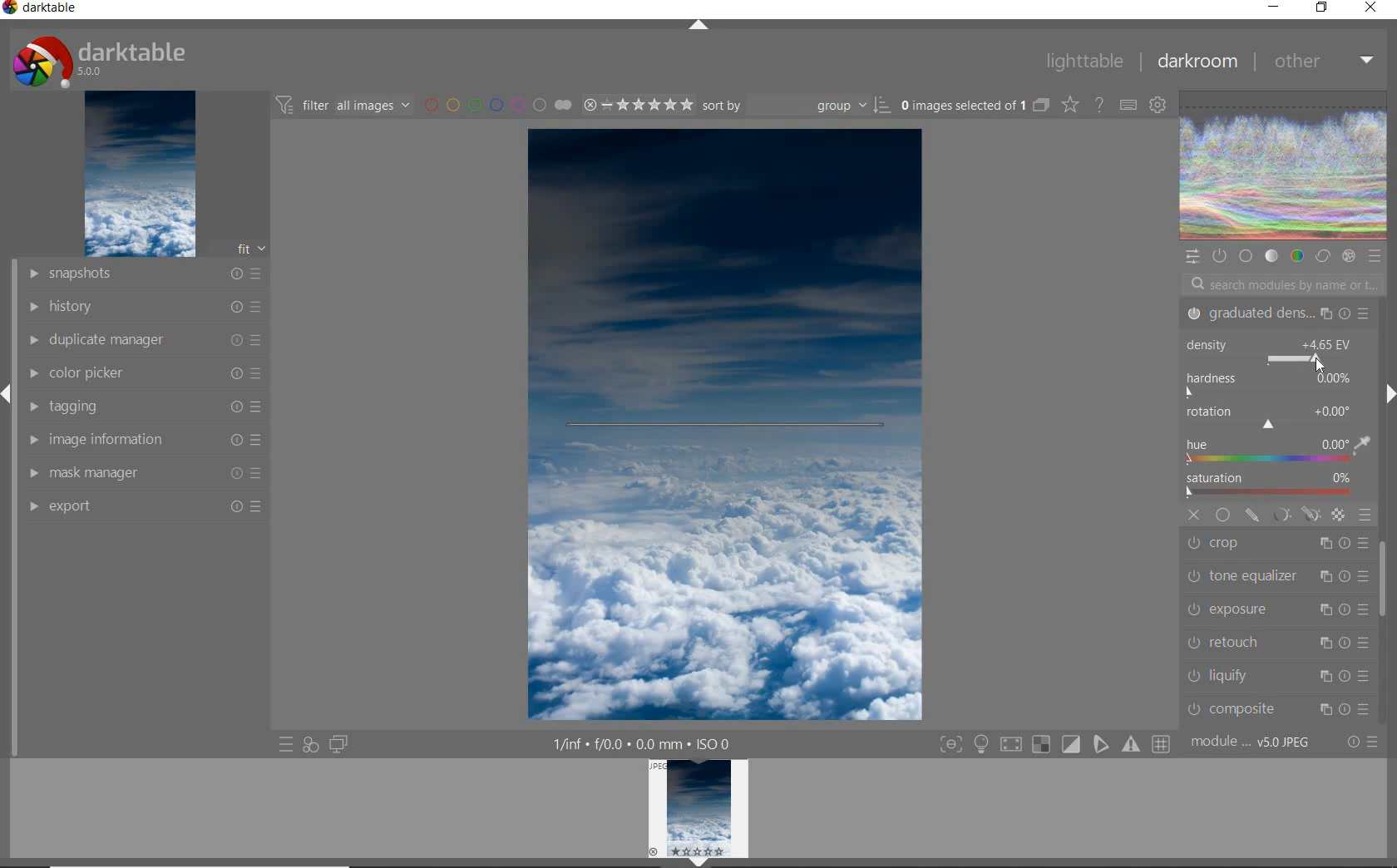 The image size is (1397, 868). I want to click on EXPORT, so click(143, 506).